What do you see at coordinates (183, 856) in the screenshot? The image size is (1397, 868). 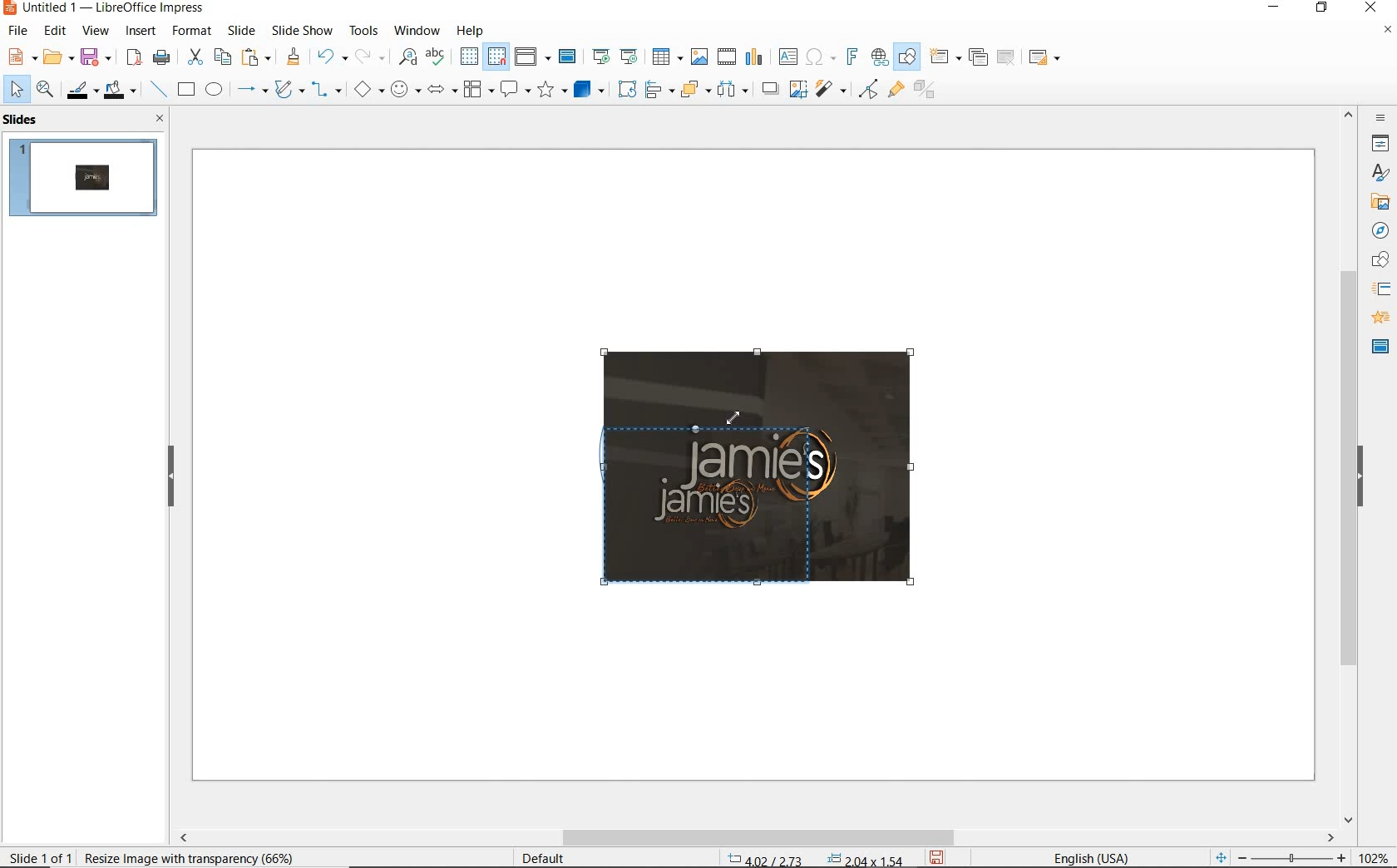 I see `image with transparency selected` at bounding box center [183, 856].